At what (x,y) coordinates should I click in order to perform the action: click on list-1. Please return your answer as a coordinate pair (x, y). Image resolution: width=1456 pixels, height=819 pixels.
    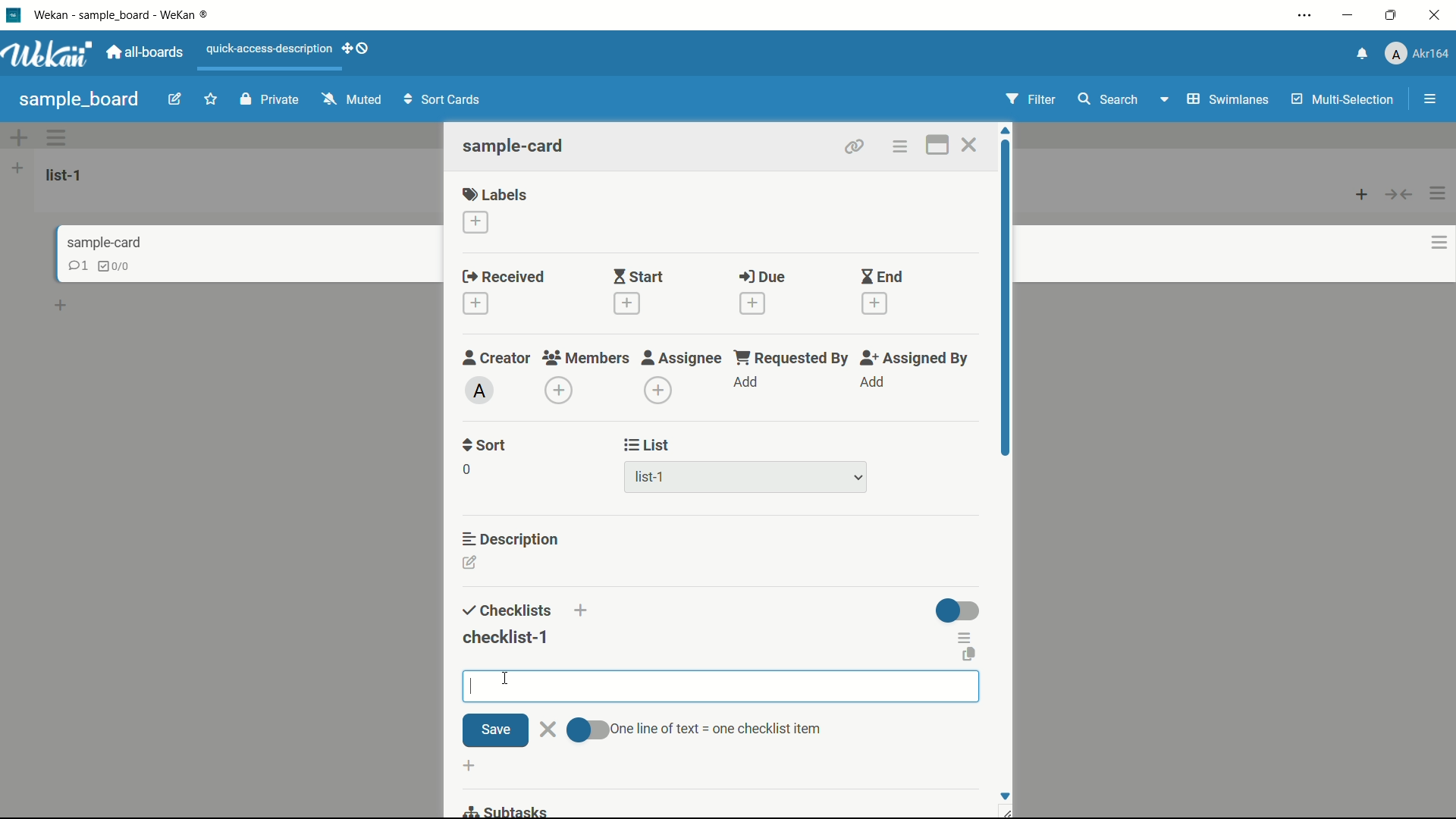
    Looking at the image, I should click on (650, 478).